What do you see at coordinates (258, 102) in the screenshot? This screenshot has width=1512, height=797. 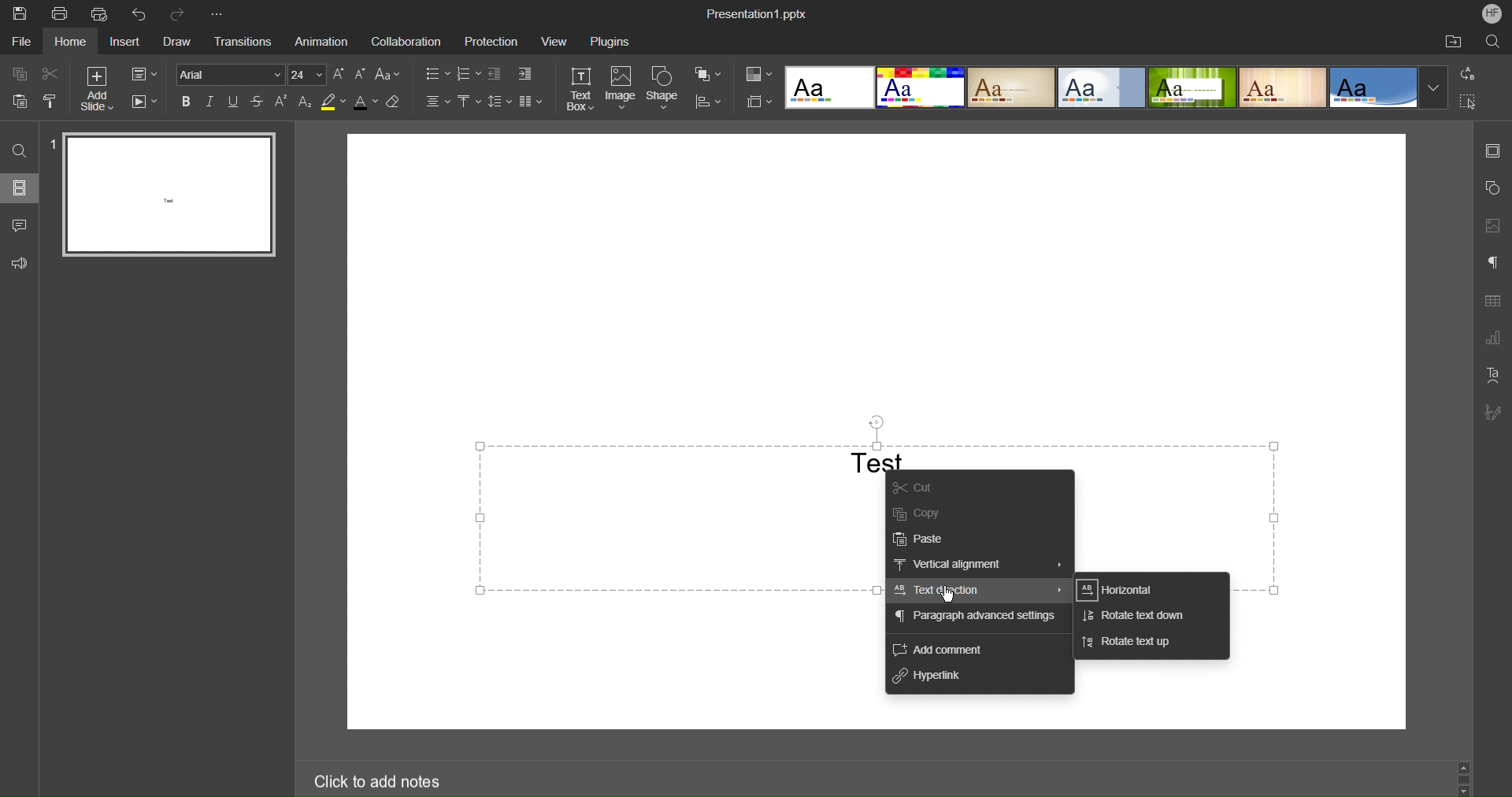 I see `Strikethrough` at bounding box center [258, 102].